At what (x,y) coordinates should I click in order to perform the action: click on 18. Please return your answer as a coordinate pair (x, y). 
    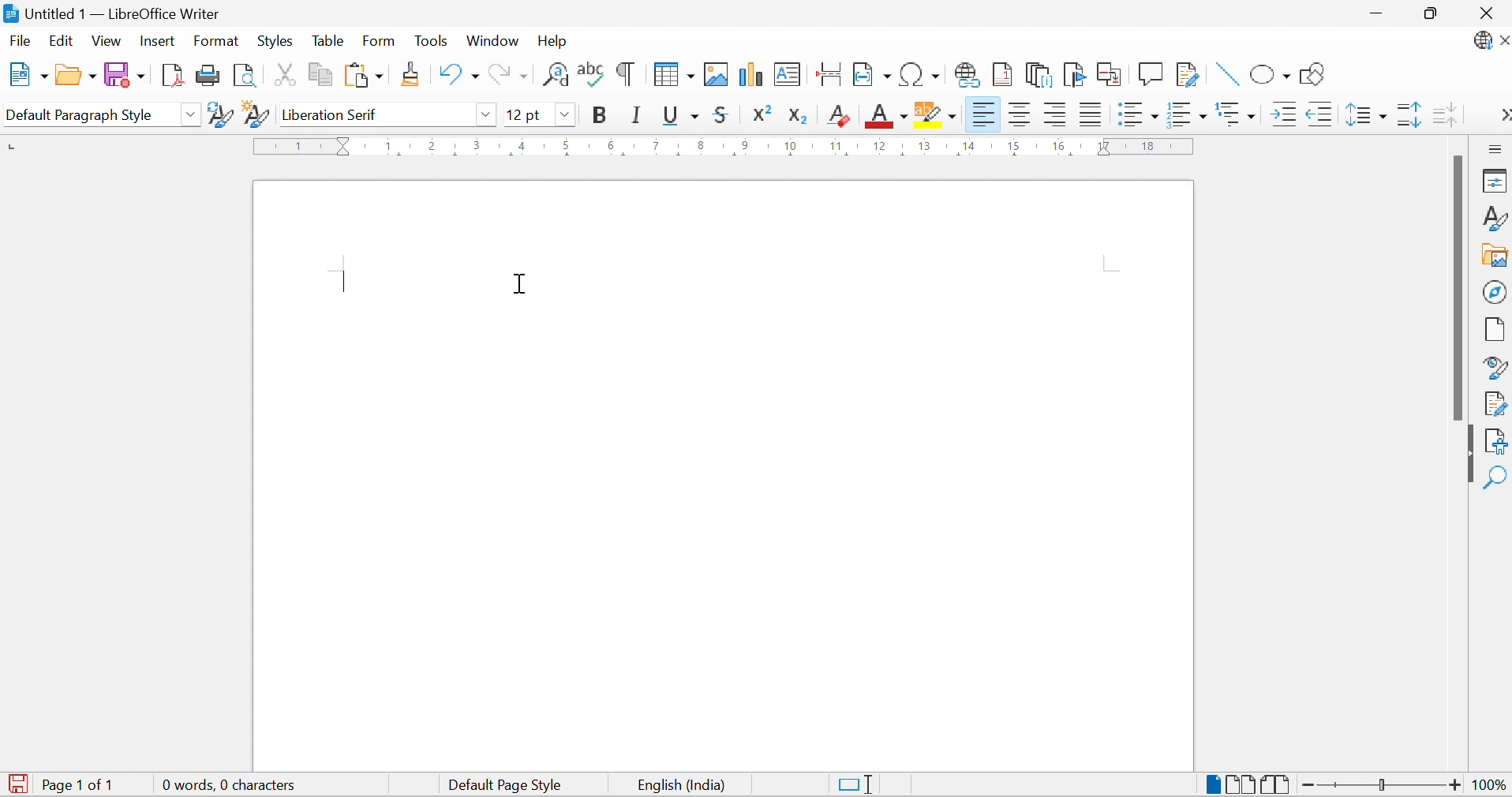
    Looking at the image, I should click on (1149, 145).